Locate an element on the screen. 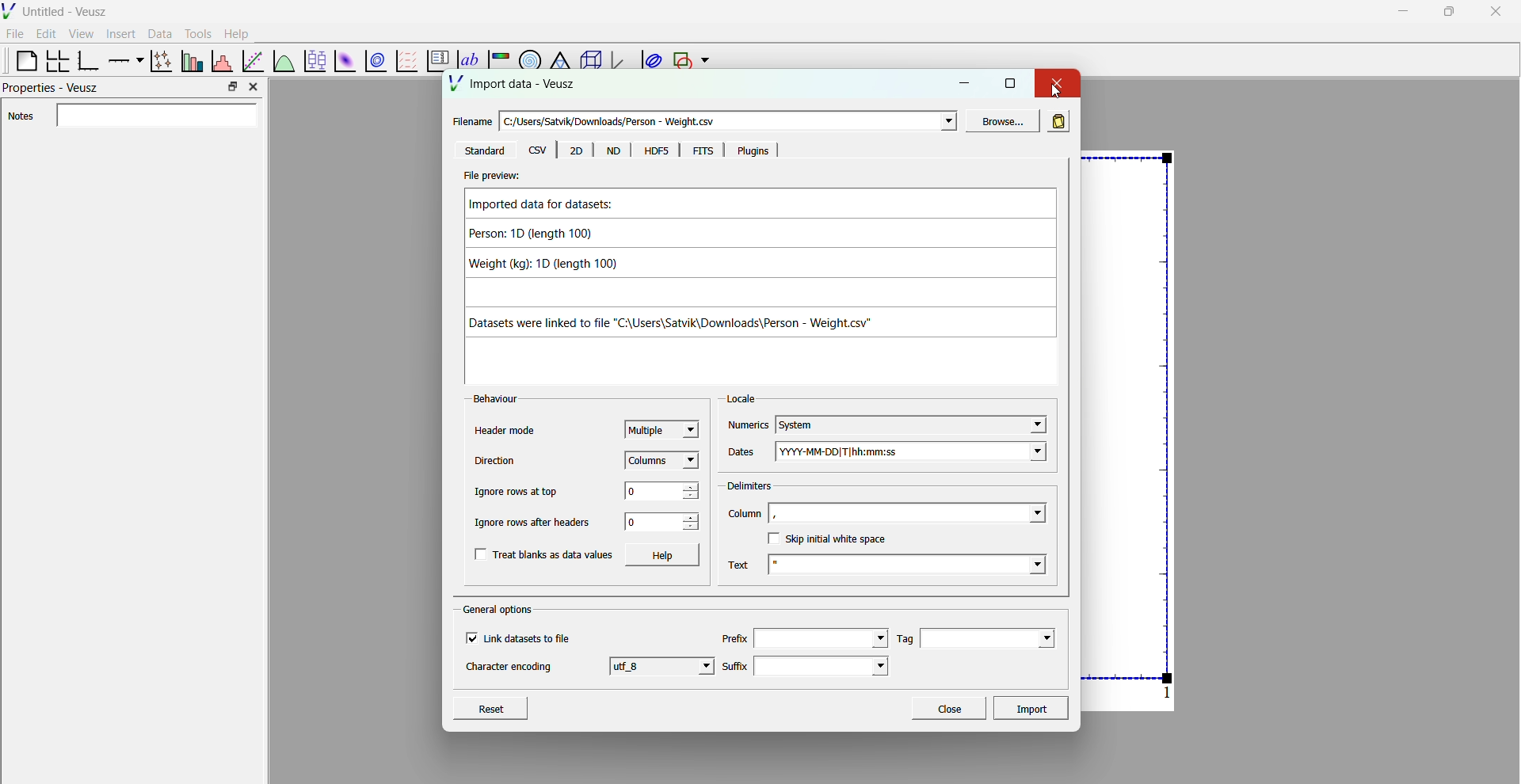  Tag - dropdown is located at coordinates (995, 637).